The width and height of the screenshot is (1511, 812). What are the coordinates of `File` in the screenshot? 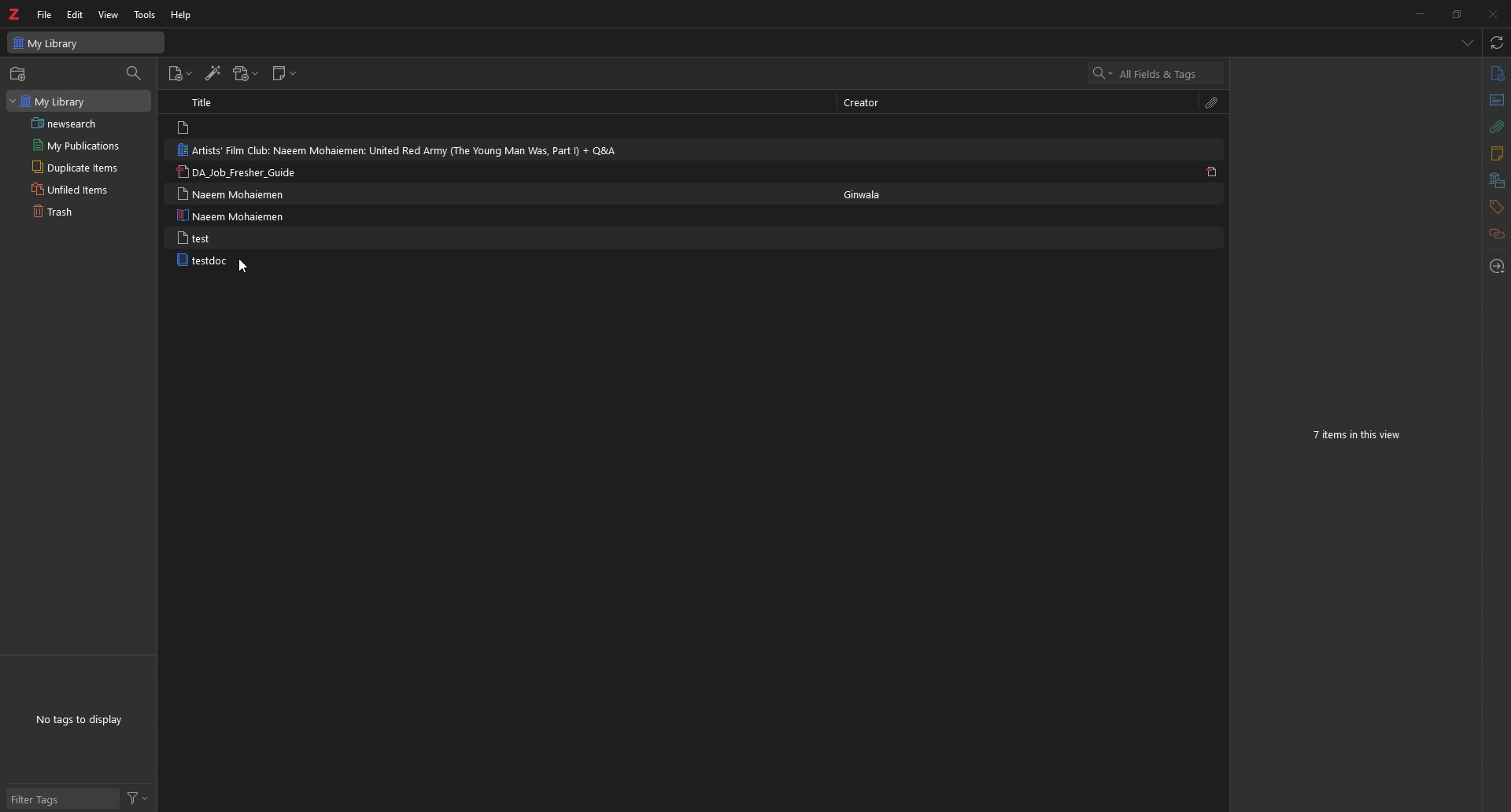 It's located at (183, 127).